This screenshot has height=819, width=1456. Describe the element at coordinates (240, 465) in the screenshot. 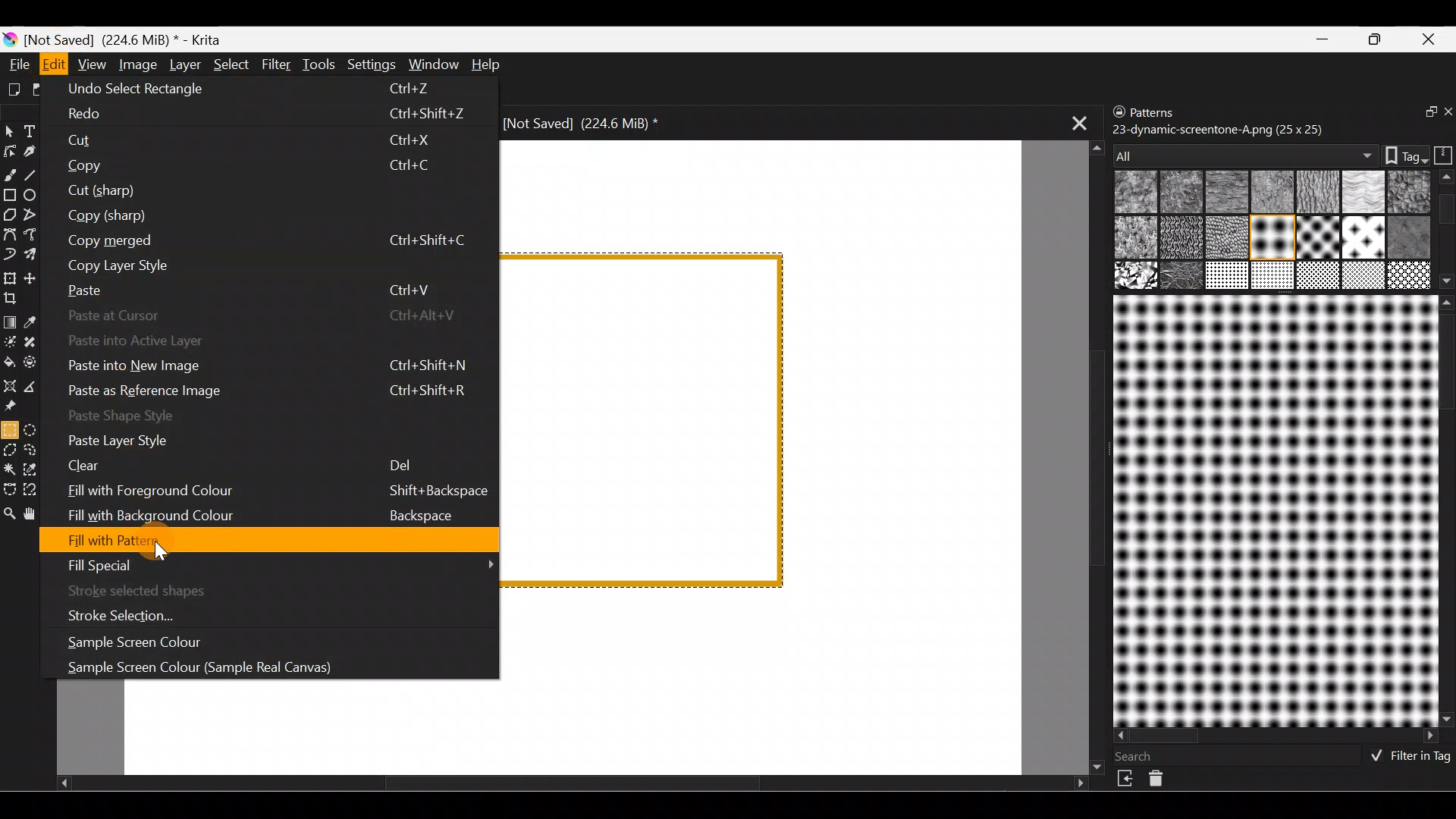

I see `Clear` at that location.